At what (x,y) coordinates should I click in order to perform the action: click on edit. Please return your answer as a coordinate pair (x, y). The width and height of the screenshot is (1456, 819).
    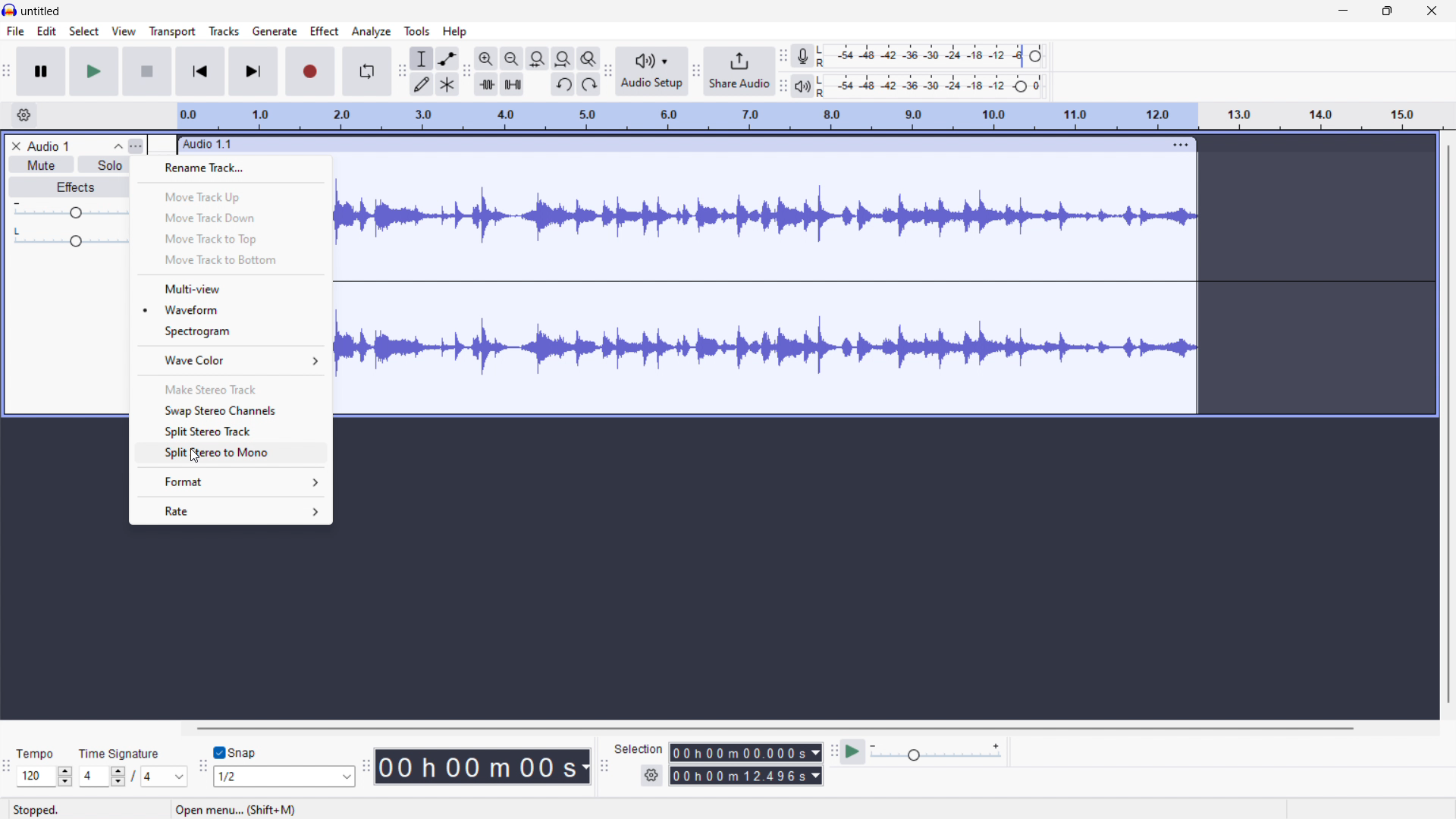
    Looking at the image, I should click on (48, 31).